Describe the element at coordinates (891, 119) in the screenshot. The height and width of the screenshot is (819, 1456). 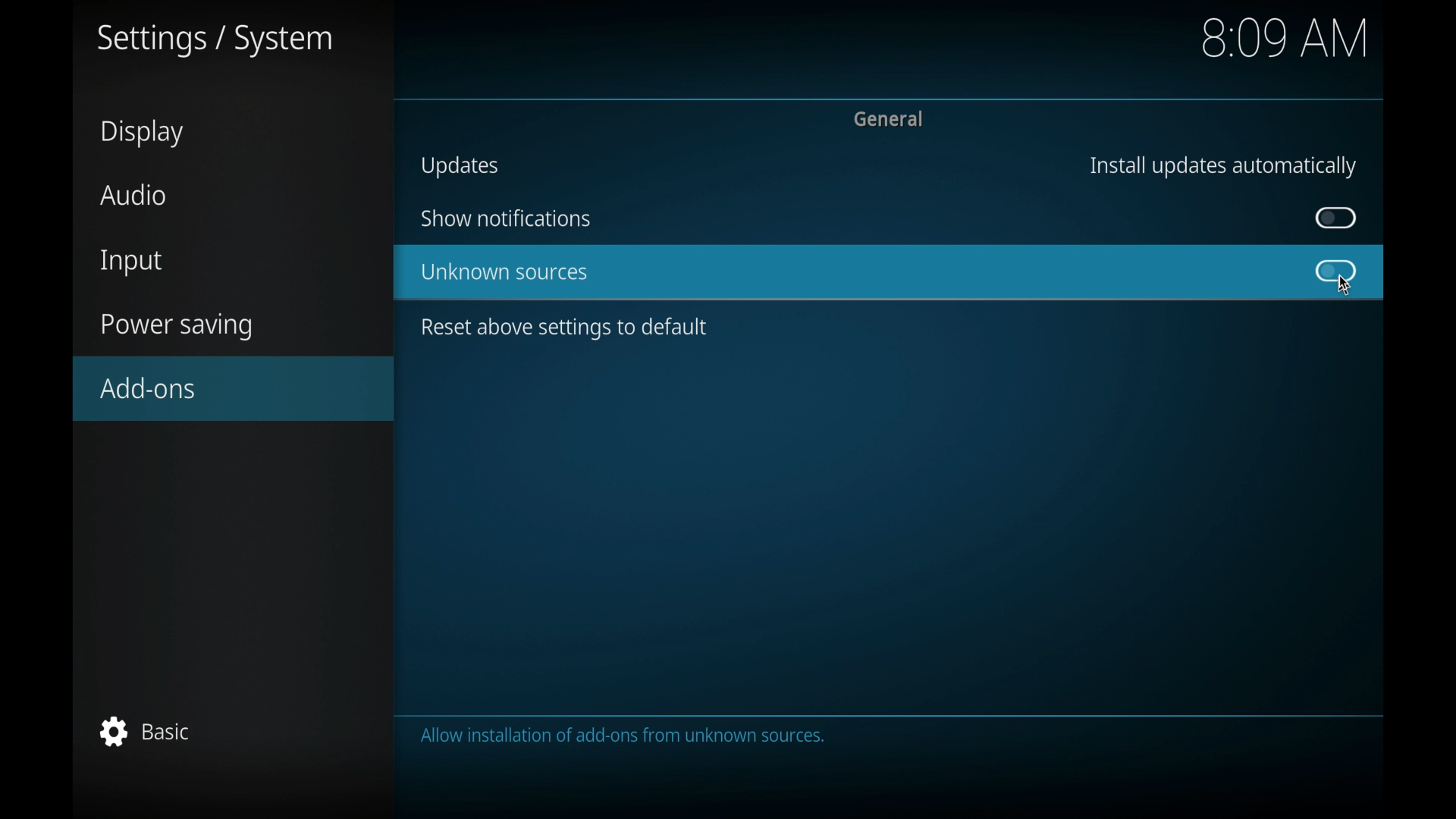
I see `general` at that location.